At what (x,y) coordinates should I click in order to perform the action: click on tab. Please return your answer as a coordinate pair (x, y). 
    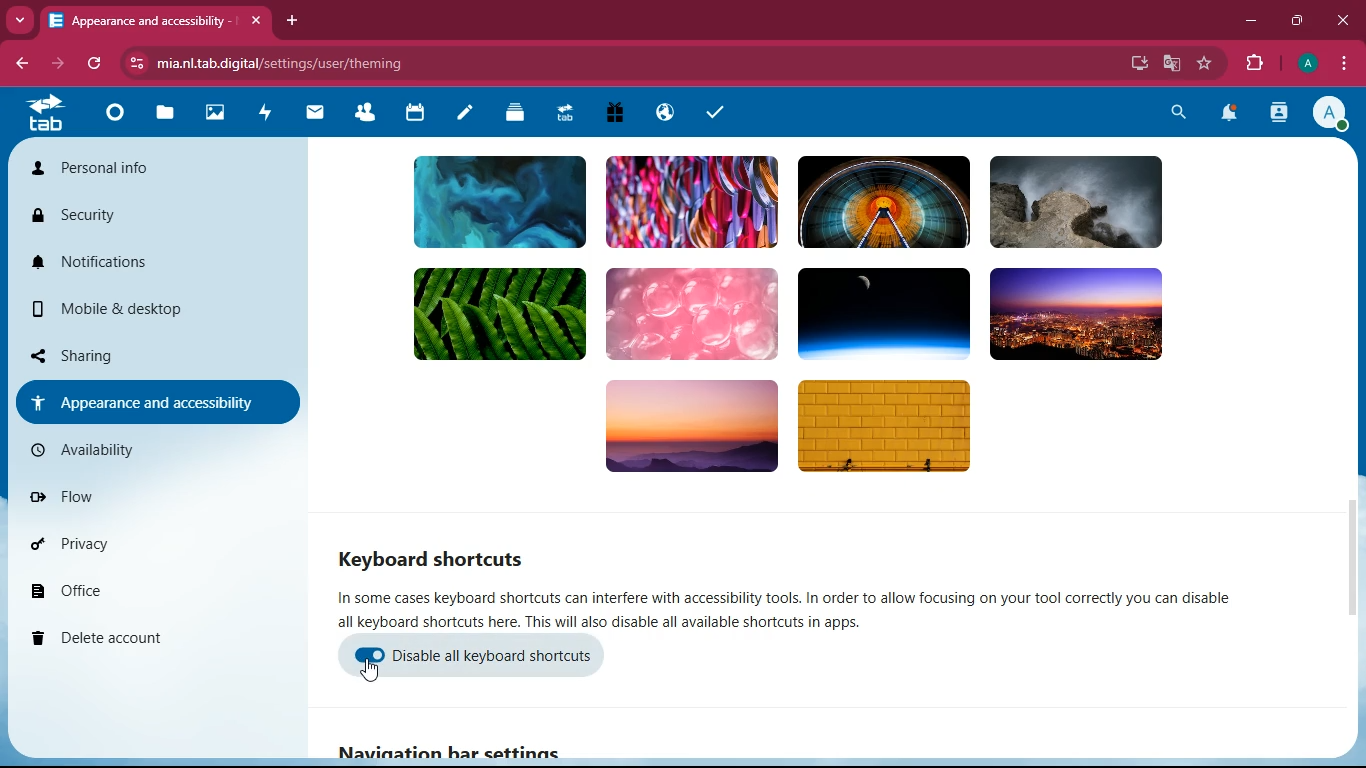
    Looking at the image, I should click on (566, 112).